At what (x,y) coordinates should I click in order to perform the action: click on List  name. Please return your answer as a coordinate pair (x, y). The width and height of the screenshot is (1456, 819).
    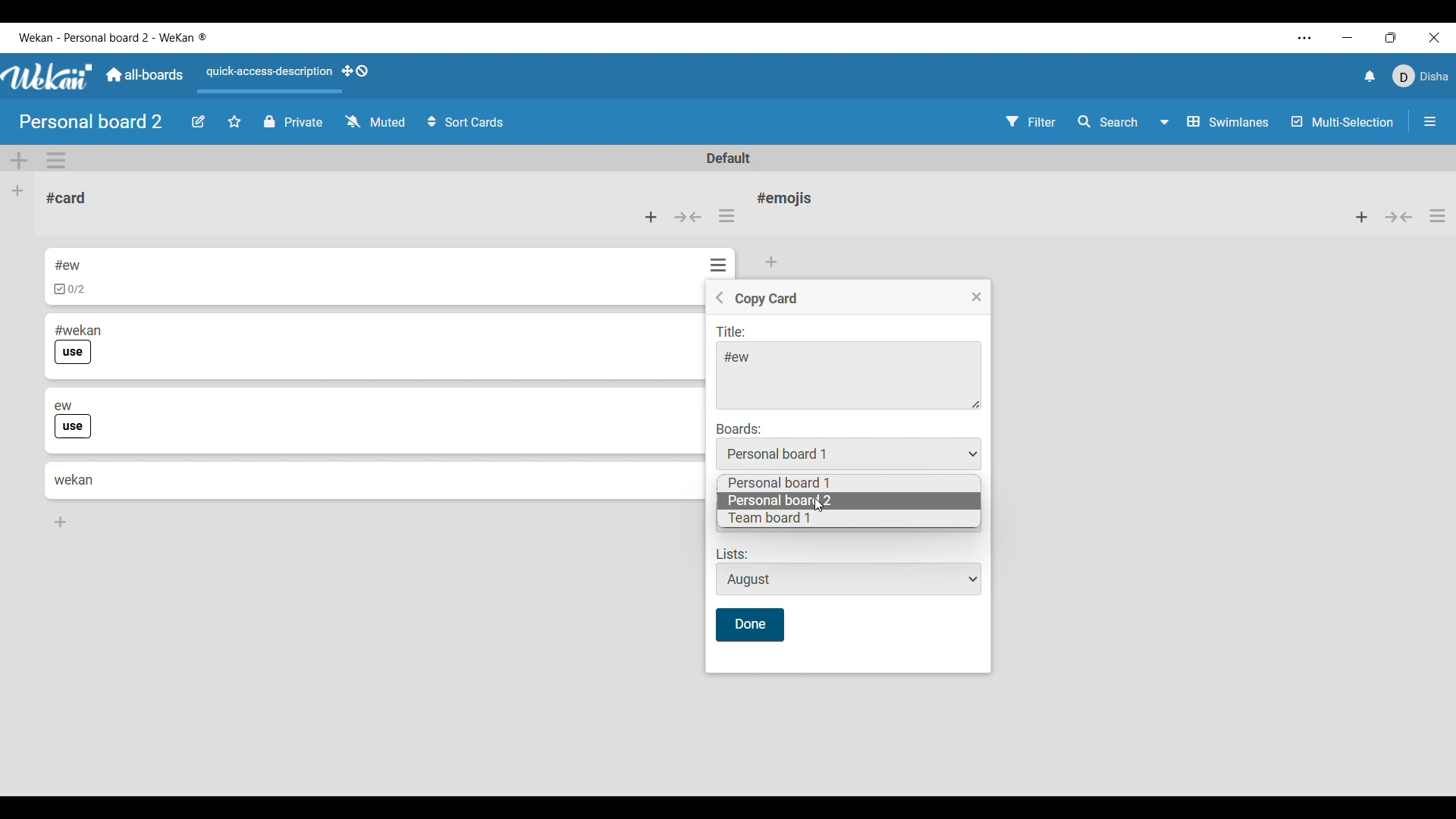
    Looking at the image, I should click on (784, 198).